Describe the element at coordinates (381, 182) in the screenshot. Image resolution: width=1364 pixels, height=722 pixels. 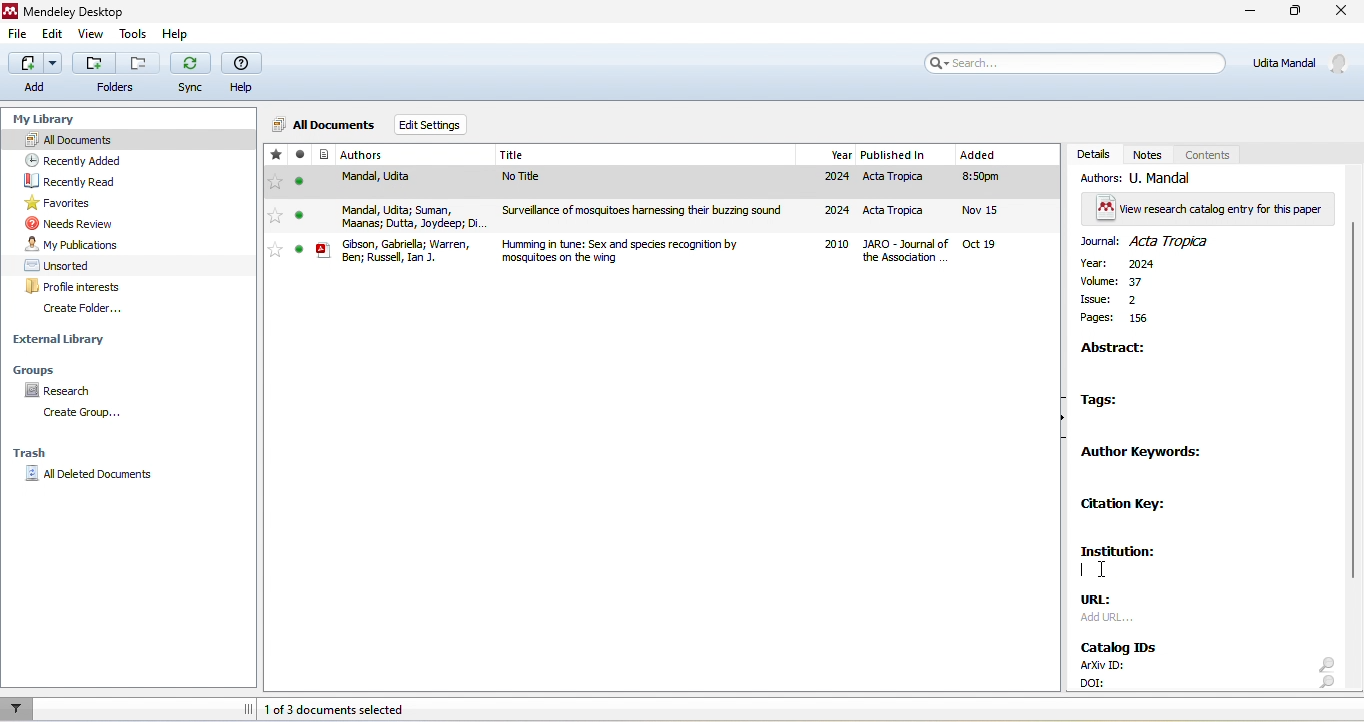
I see `mandal,udita` at that location.